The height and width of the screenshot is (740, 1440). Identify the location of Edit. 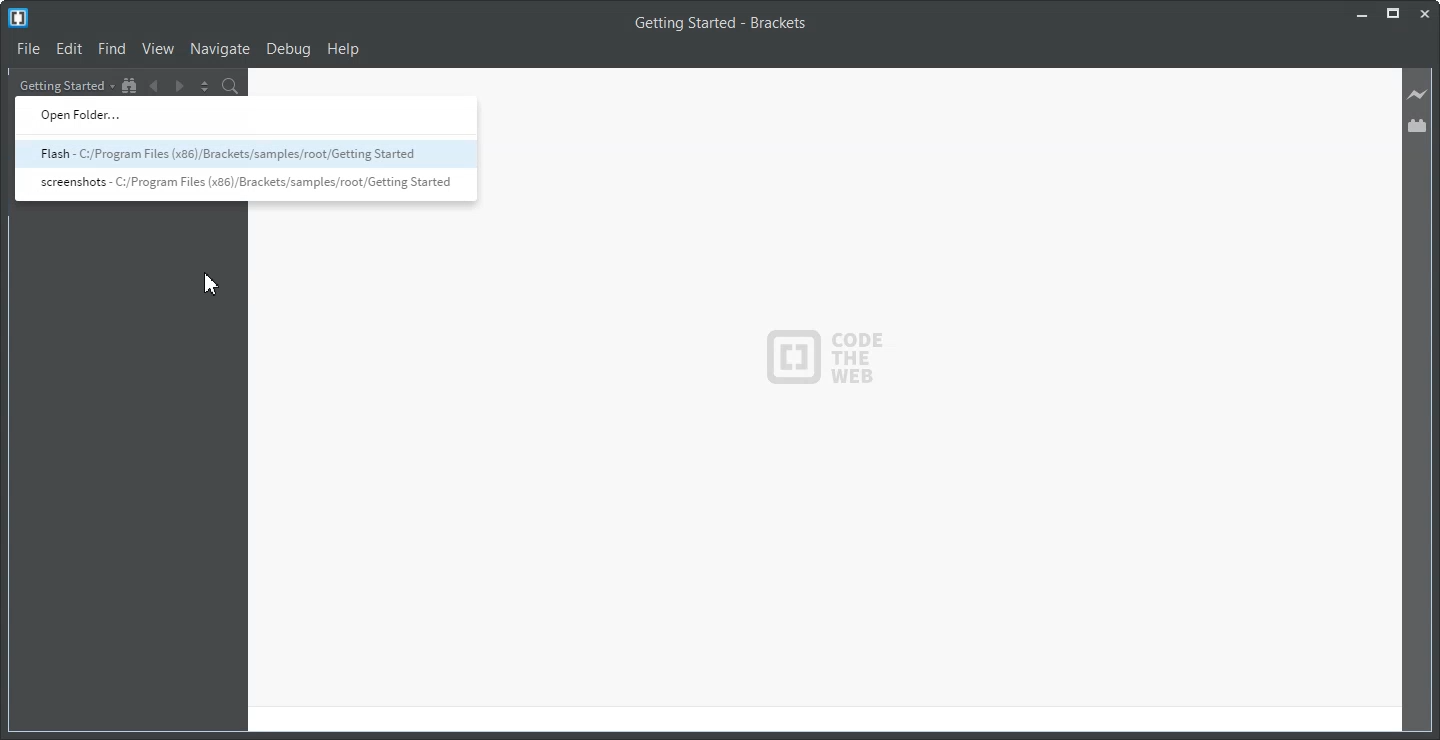
(70, 49).